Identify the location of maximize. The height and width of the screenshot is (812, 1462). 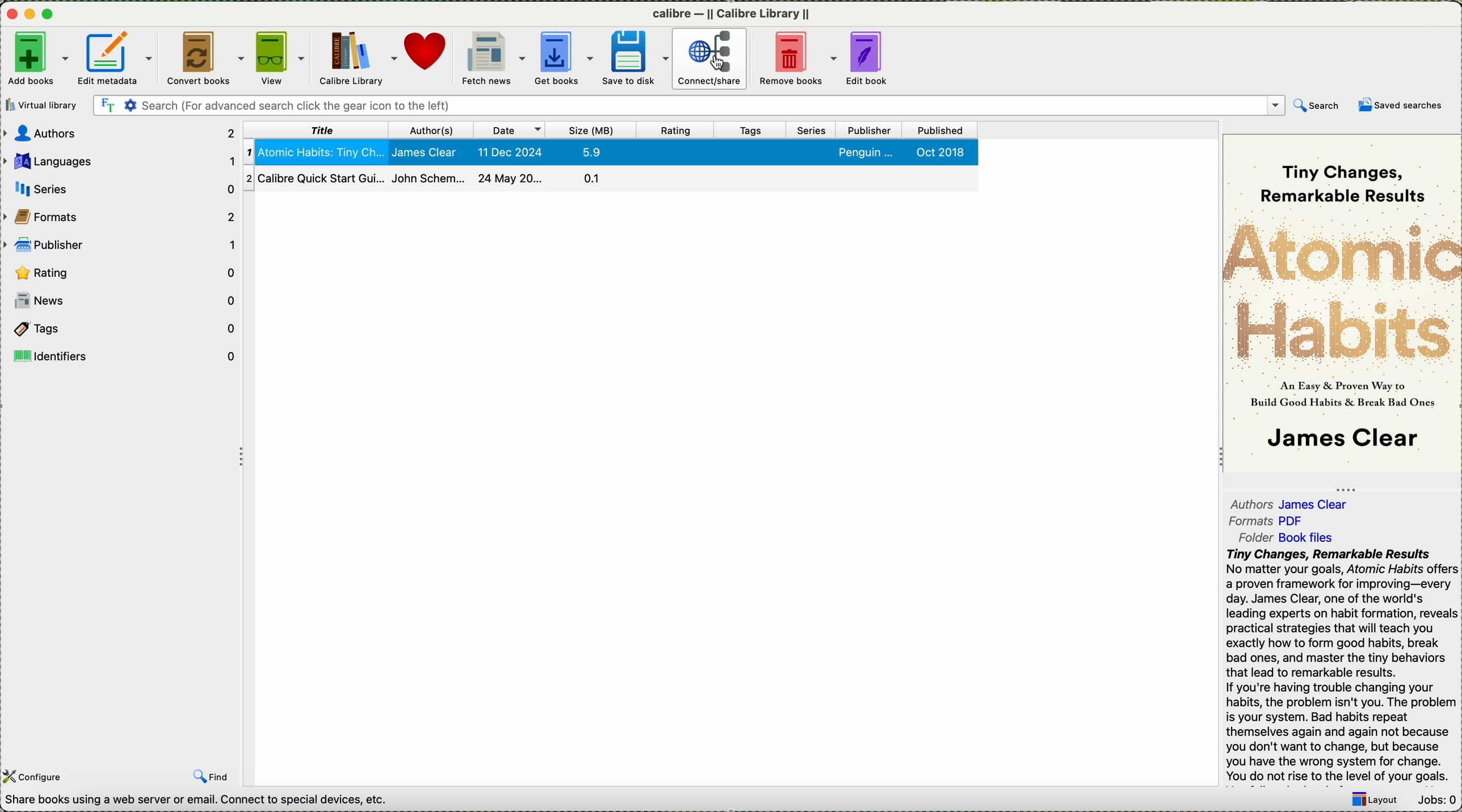
(50, 14).